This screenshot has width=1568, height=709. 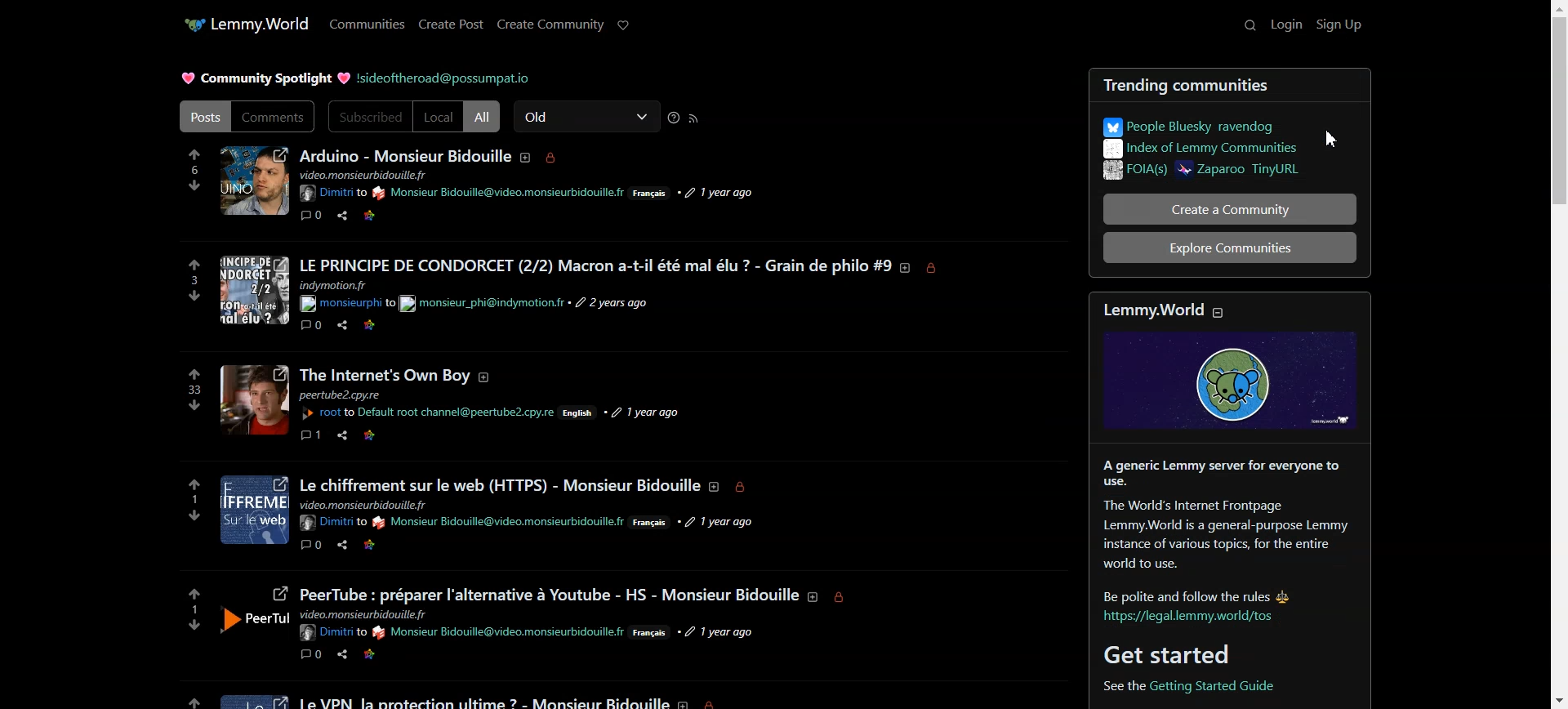 What do you see at coordinates (655, 524) in the screenshot?
I see `Francais` at bounding box center [655, 524].